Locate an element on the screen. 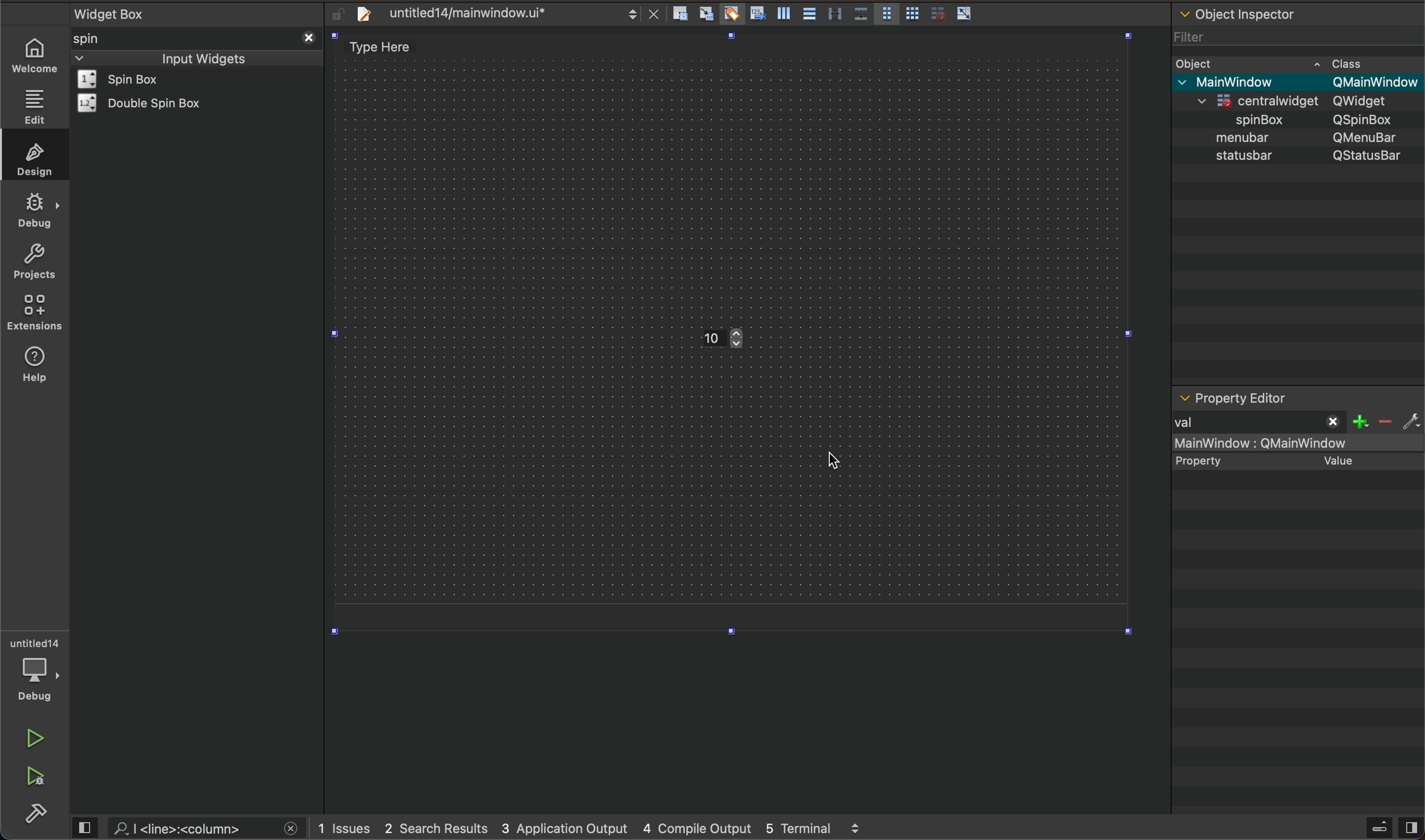 The image size is (1425, 840). widget is located at coordinates (134, 79).